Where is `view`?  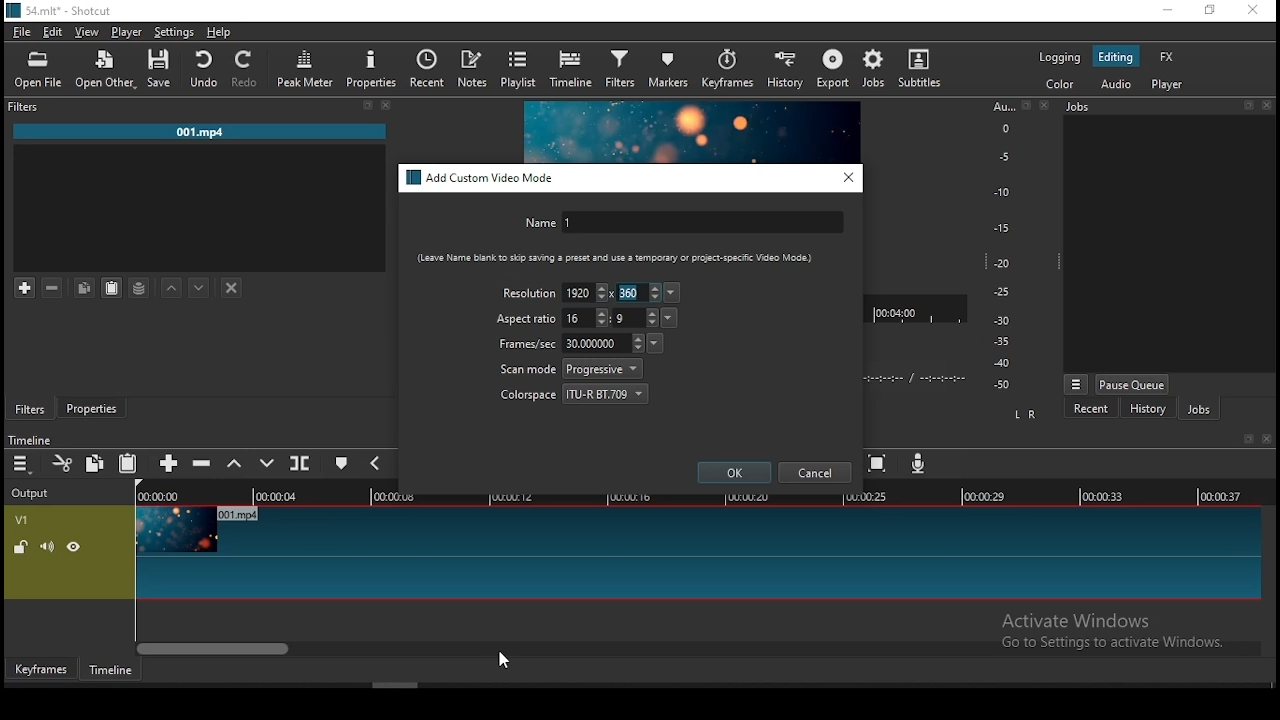 view is located at coordinates (89, 34).